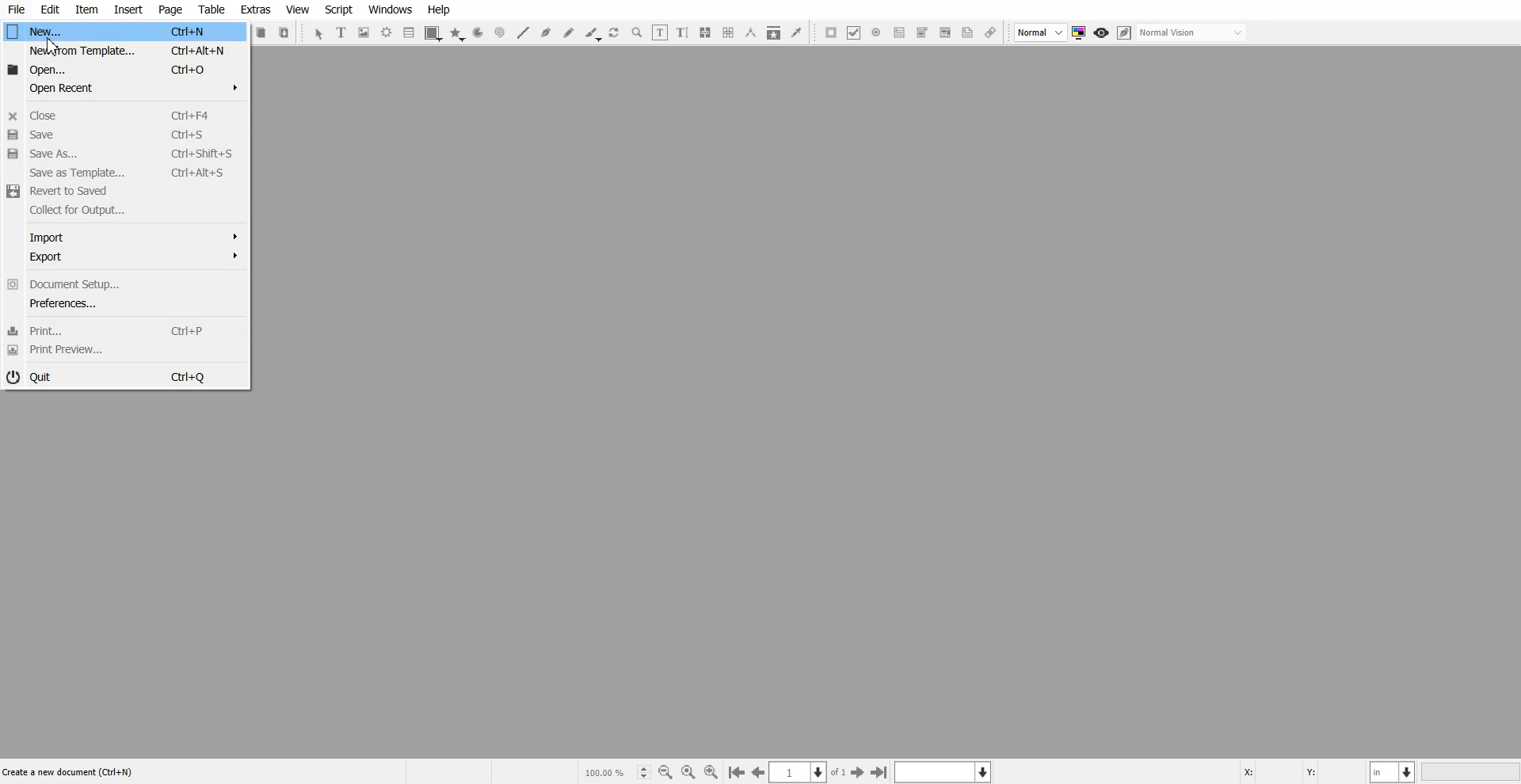  I want to click on Spiral, so click(499, 32).